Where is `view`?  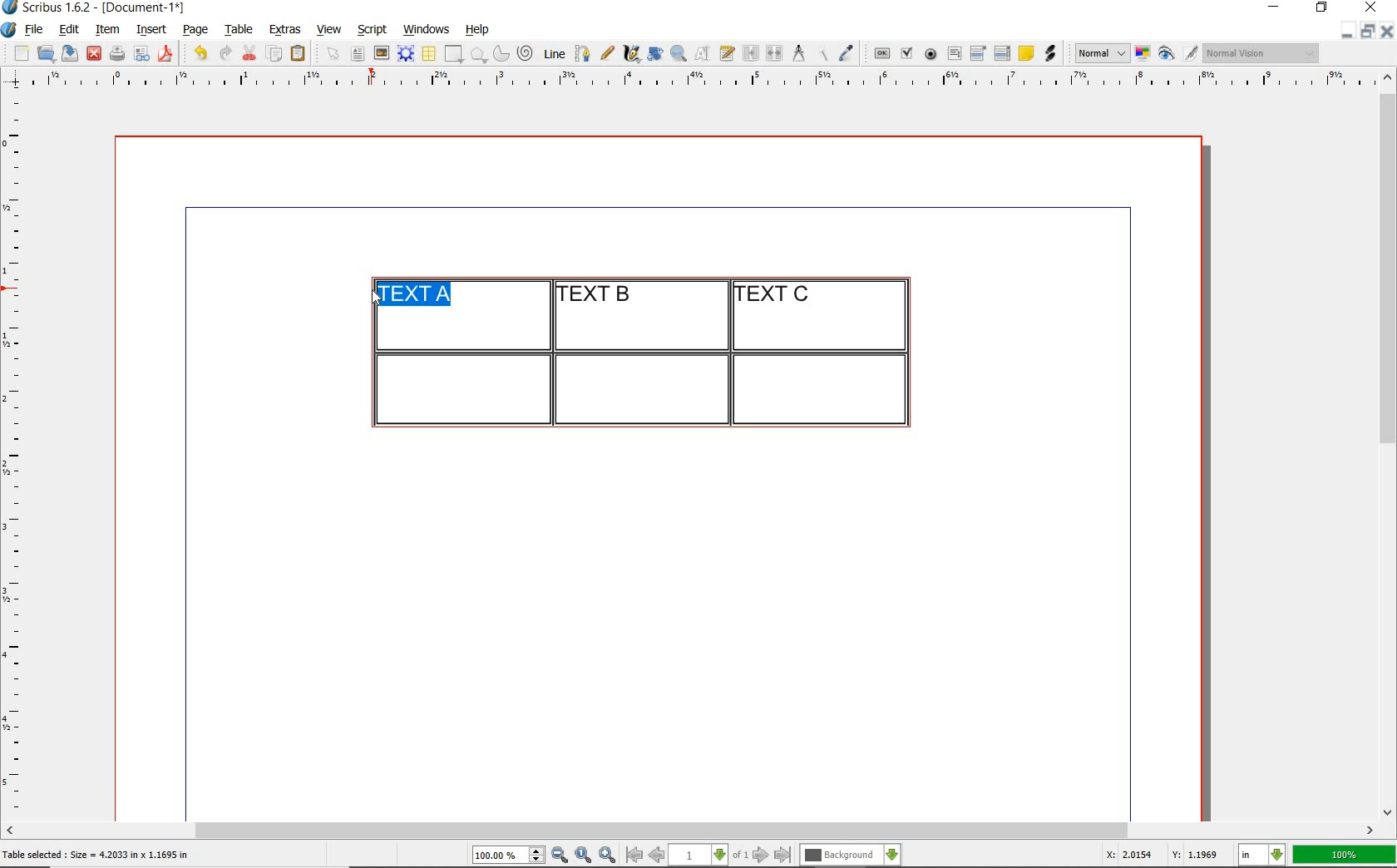 view is located at coordinates (329, 29).